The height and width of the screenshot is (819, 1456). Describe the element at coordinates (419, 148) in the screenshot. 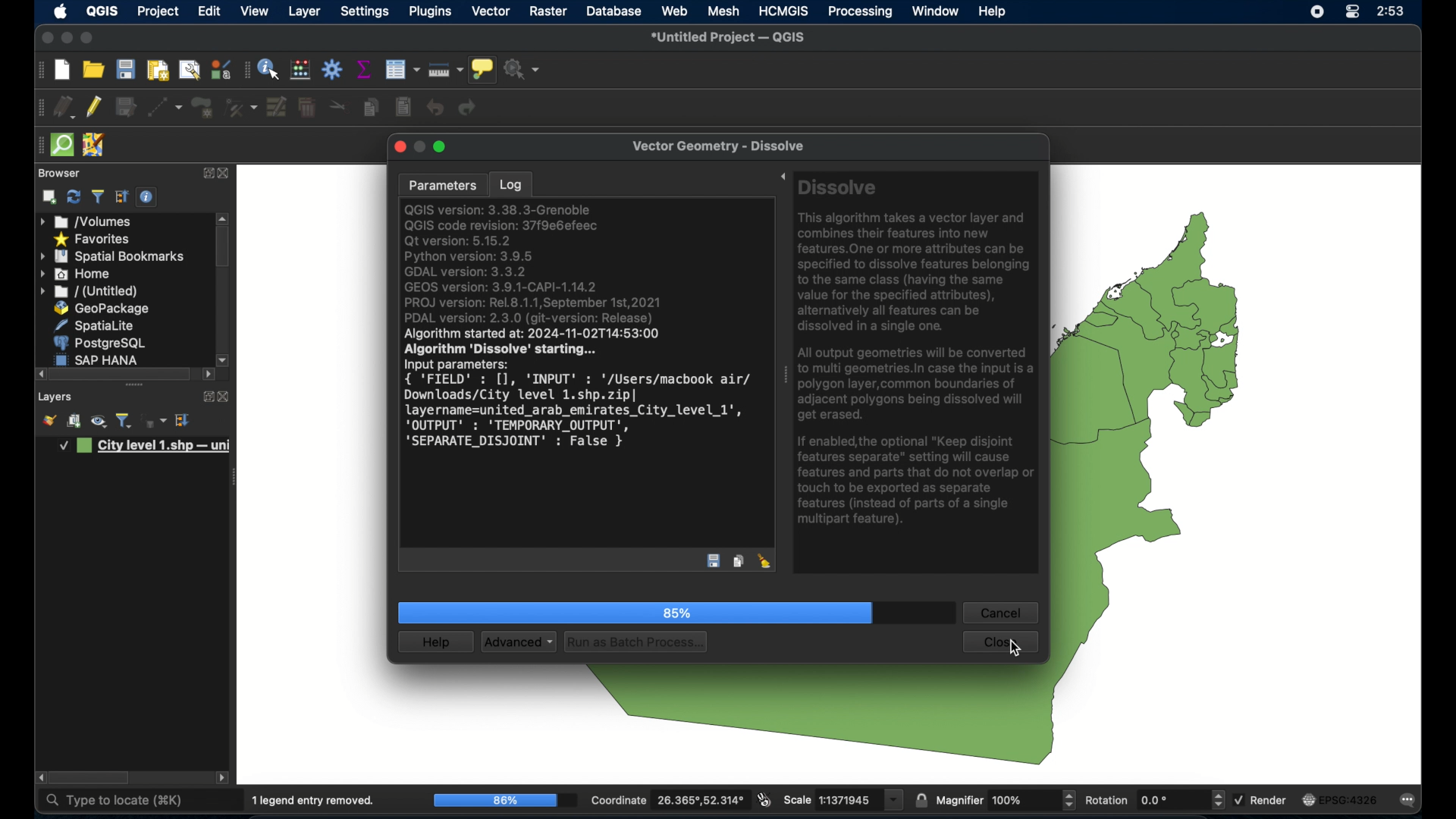

I see `inactive minimize button` at that location.